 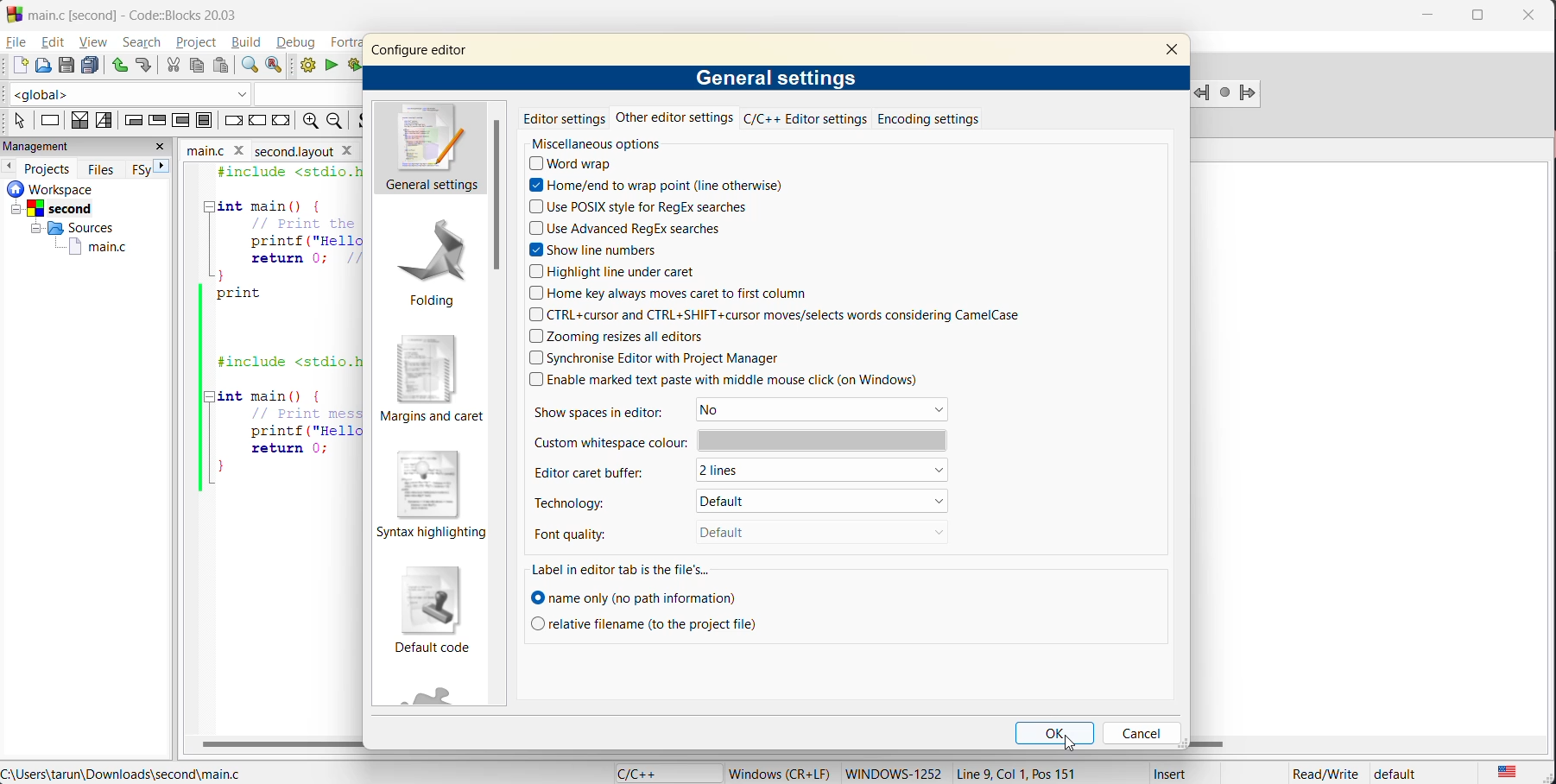 I want to click on syntax highlighting, so click(x=431, y=495).